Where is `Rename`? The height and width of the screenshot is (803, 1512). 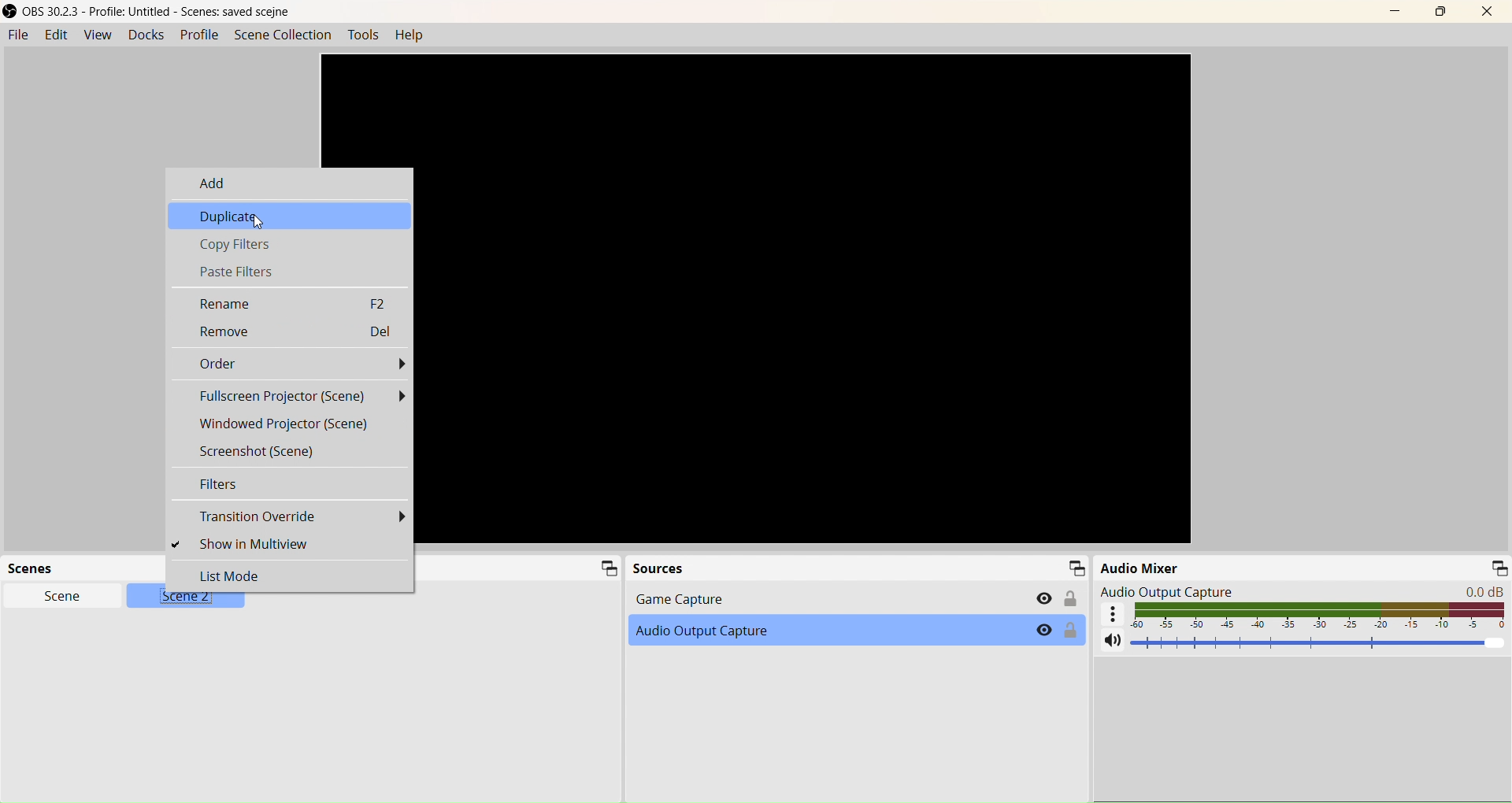
Rename is located at coordinates (287, 305).